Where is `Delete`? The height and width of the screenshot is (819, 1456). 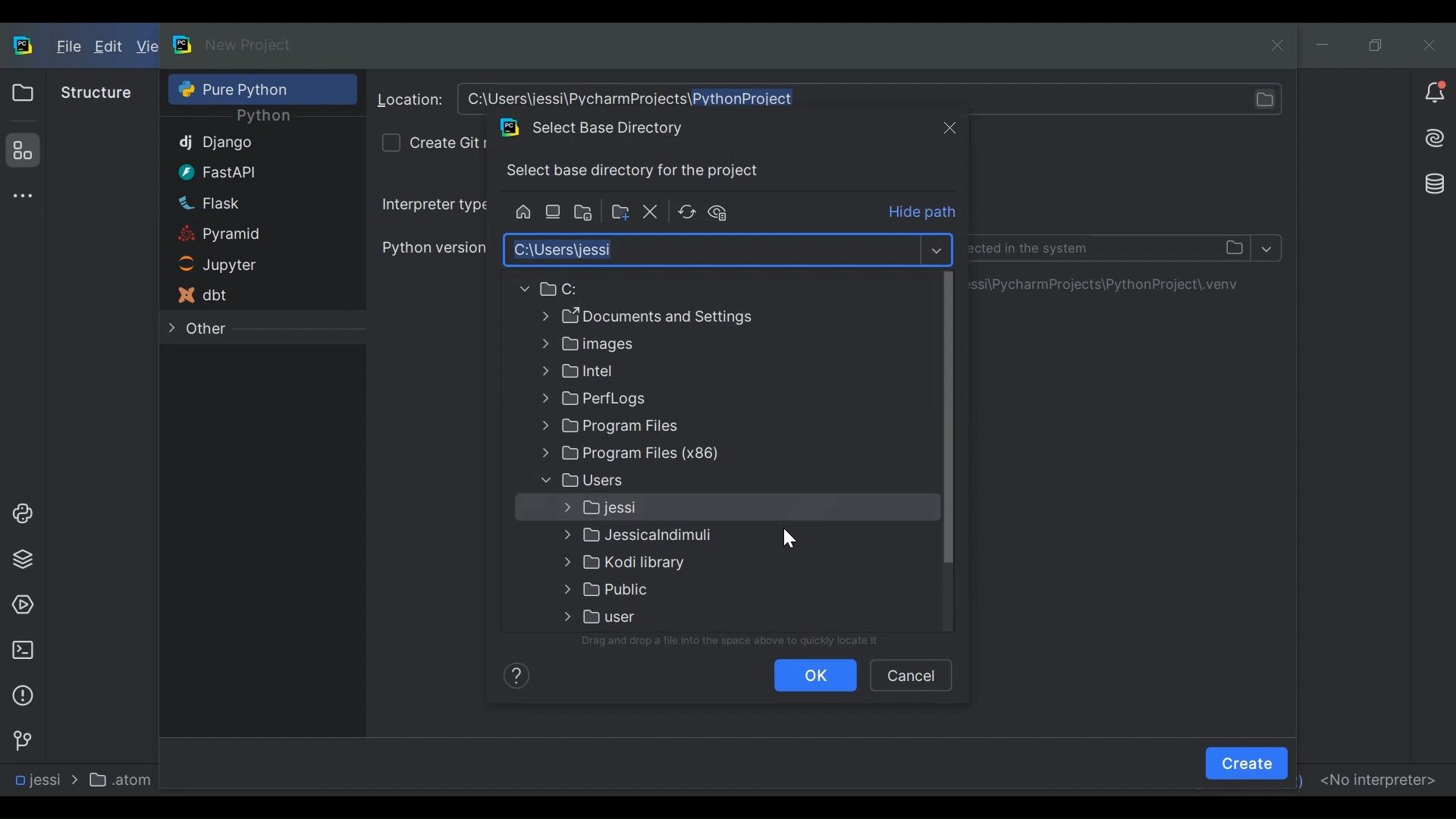 Delete is located at coordinates (651, 212).